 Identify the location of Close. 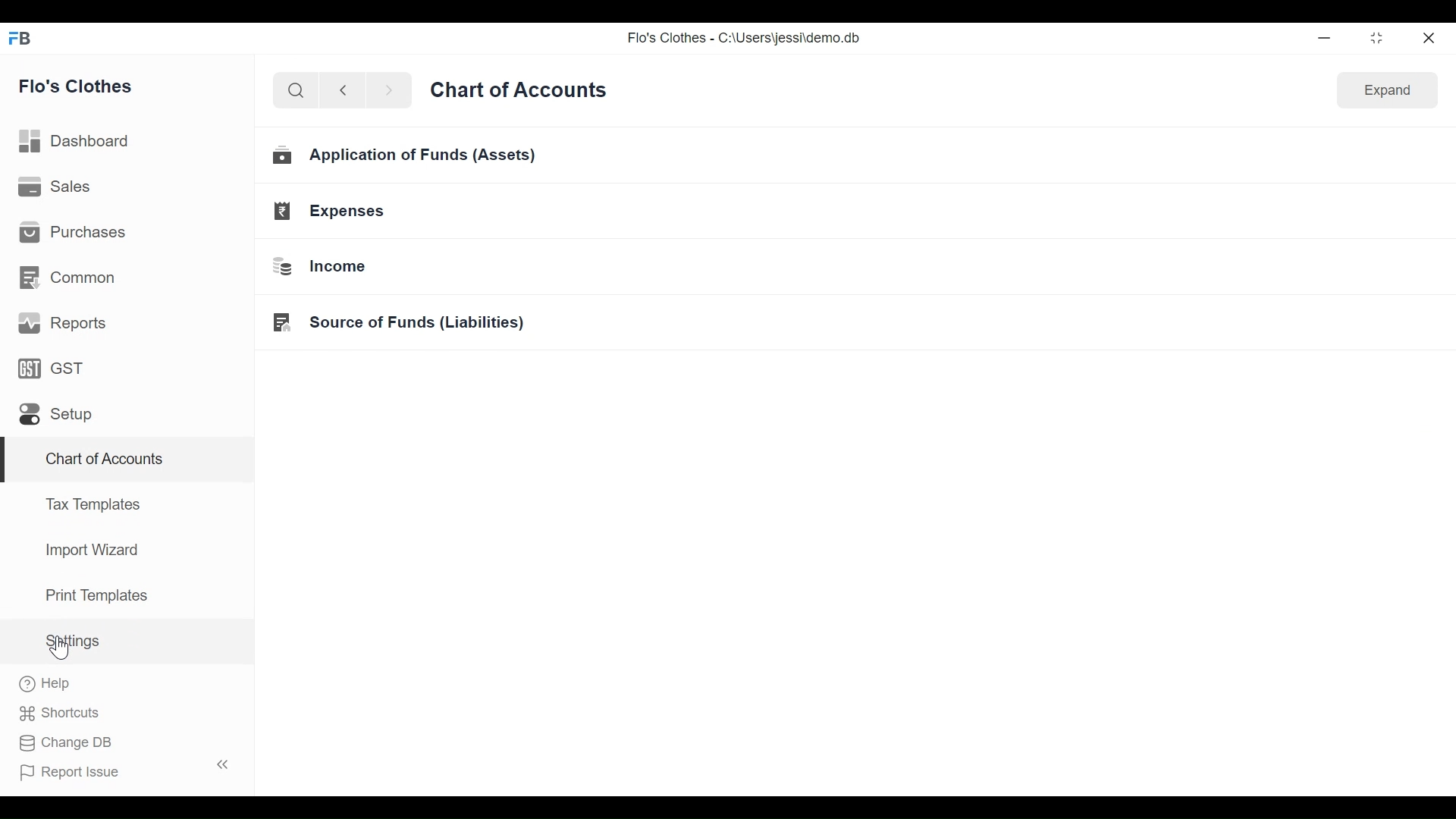
(1431, 36).